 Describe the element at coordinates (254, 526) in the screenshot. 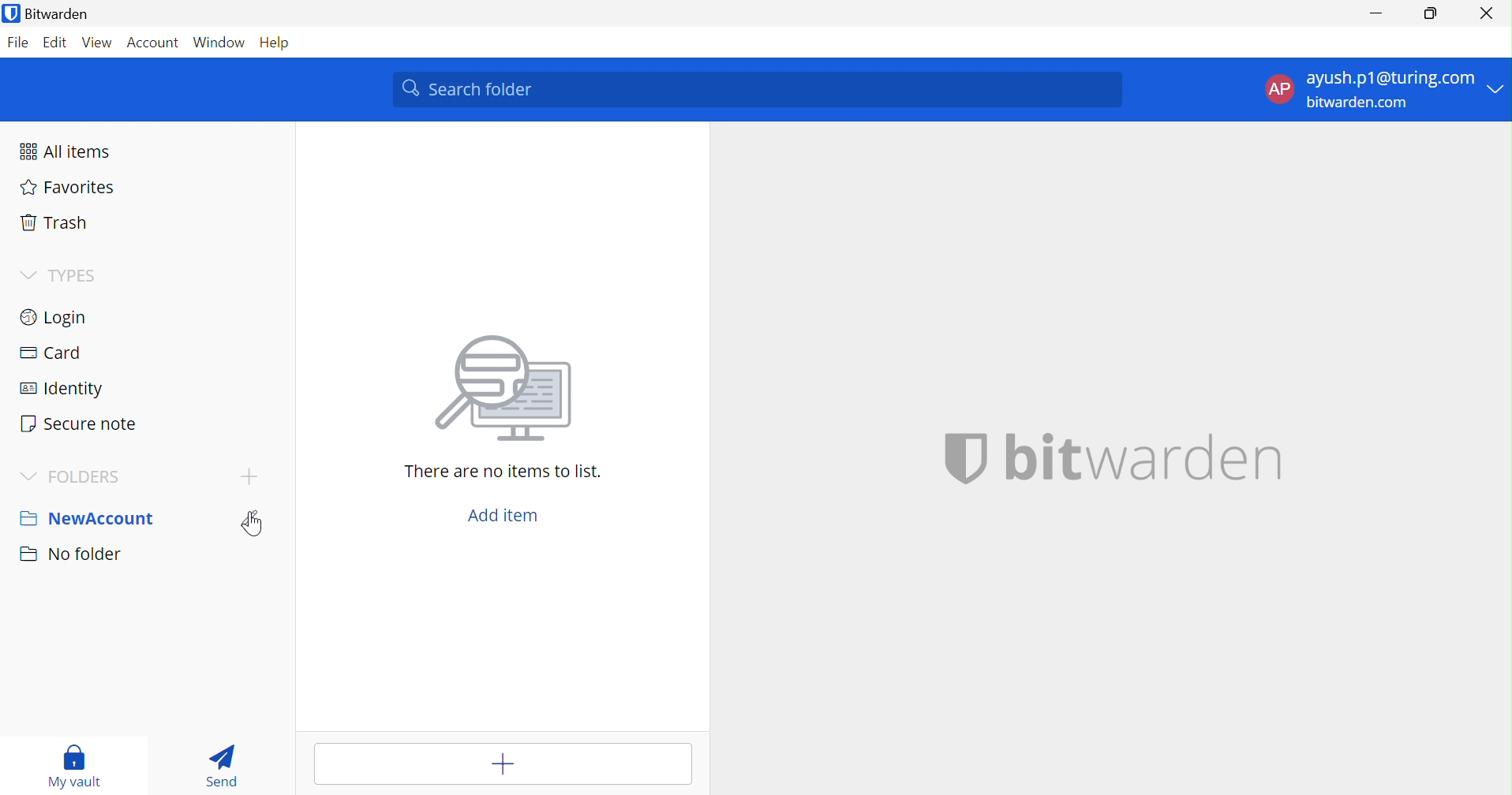

I see `cursor` at that location.